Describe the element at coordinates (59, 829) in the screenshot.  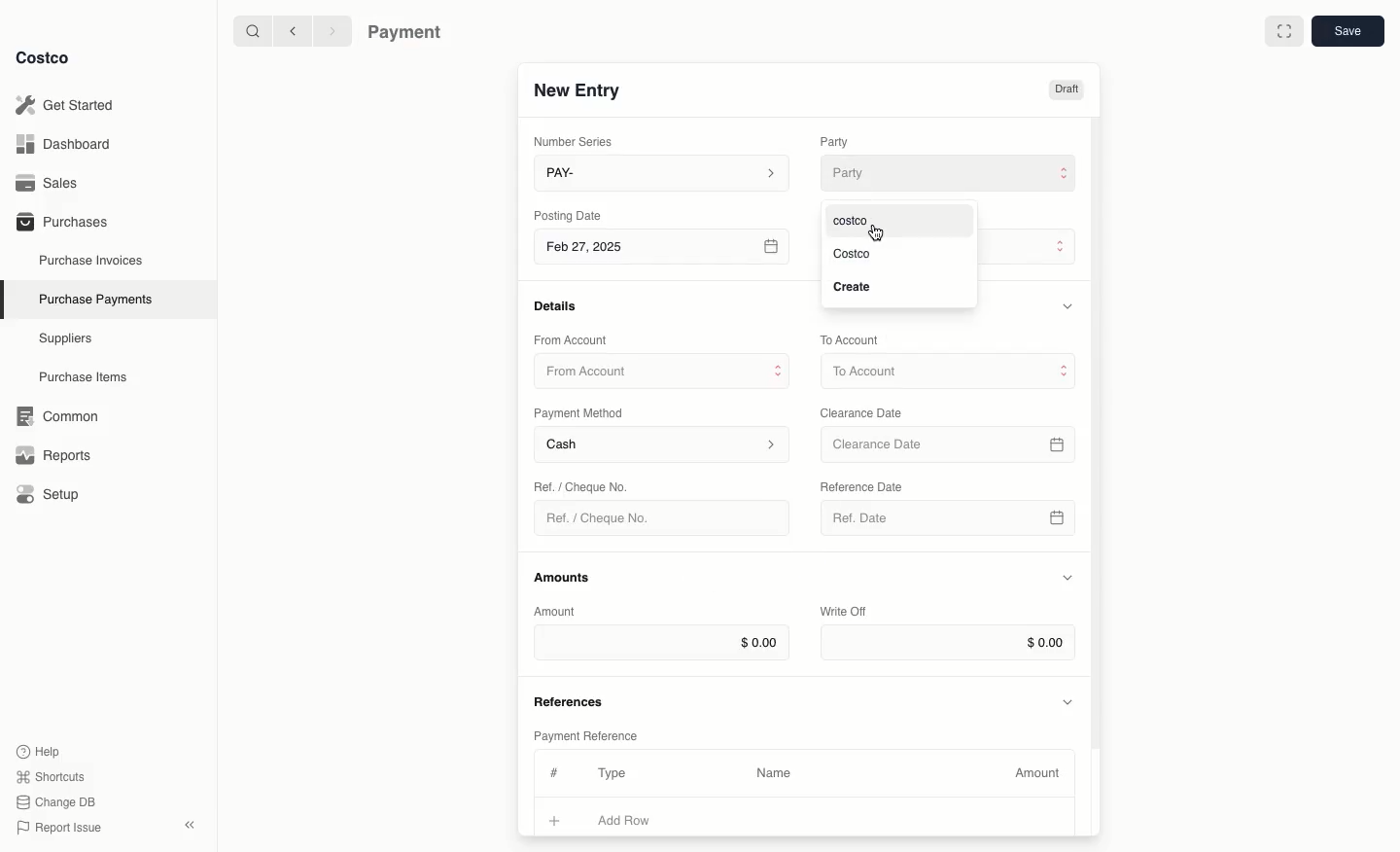
I see `Report Issue` at that location.